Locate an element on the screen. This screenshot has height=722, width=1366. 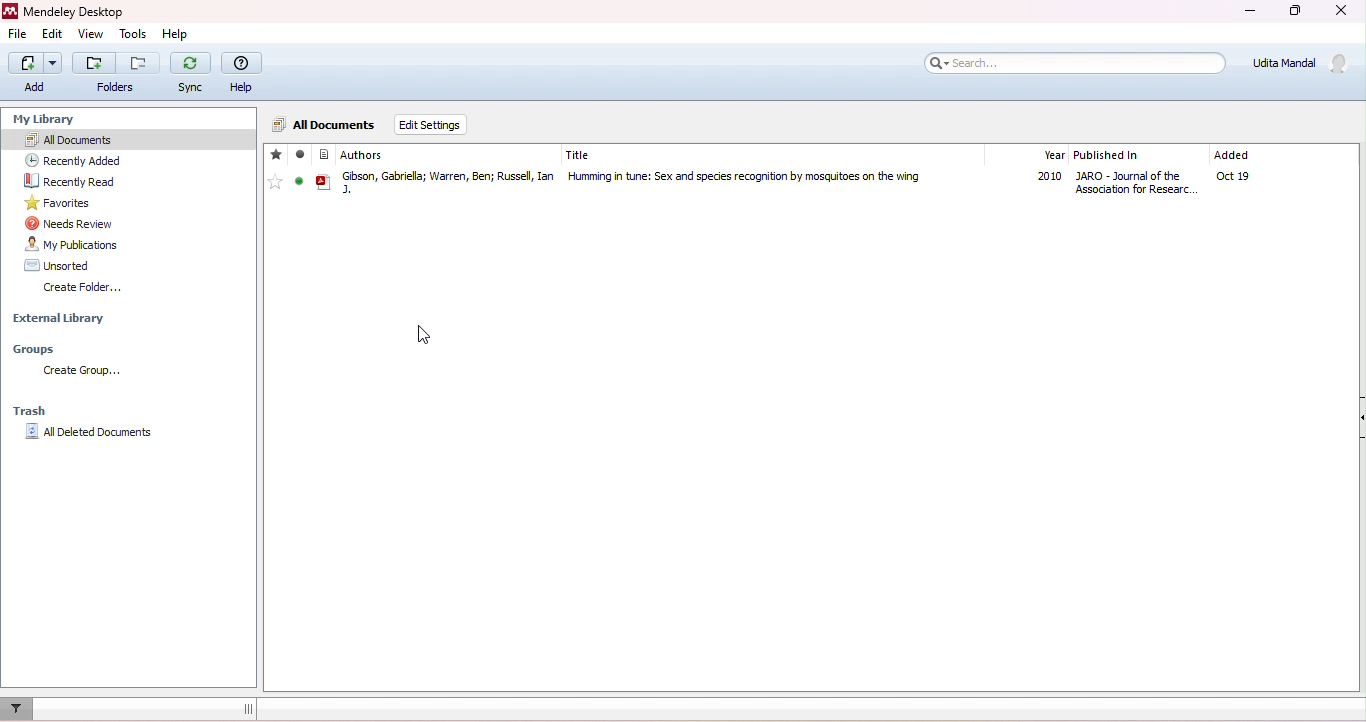
Groups is located at coordinates (33, 350).